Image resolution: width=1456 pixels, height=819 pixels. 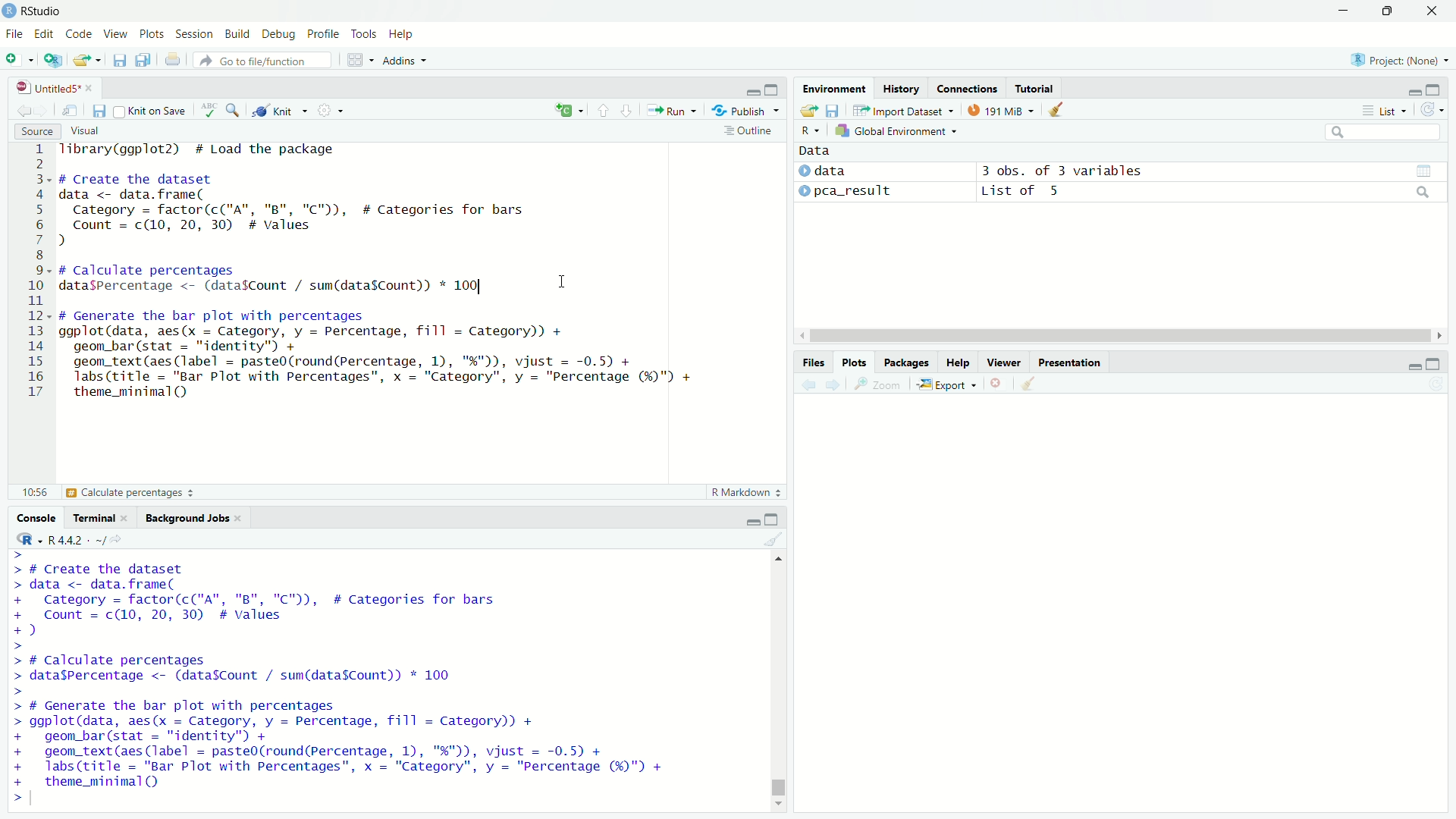 What do you see at coordinates (1413, 363) in the screenshot?
I see `minimize` at bounding box center [1413, 363].